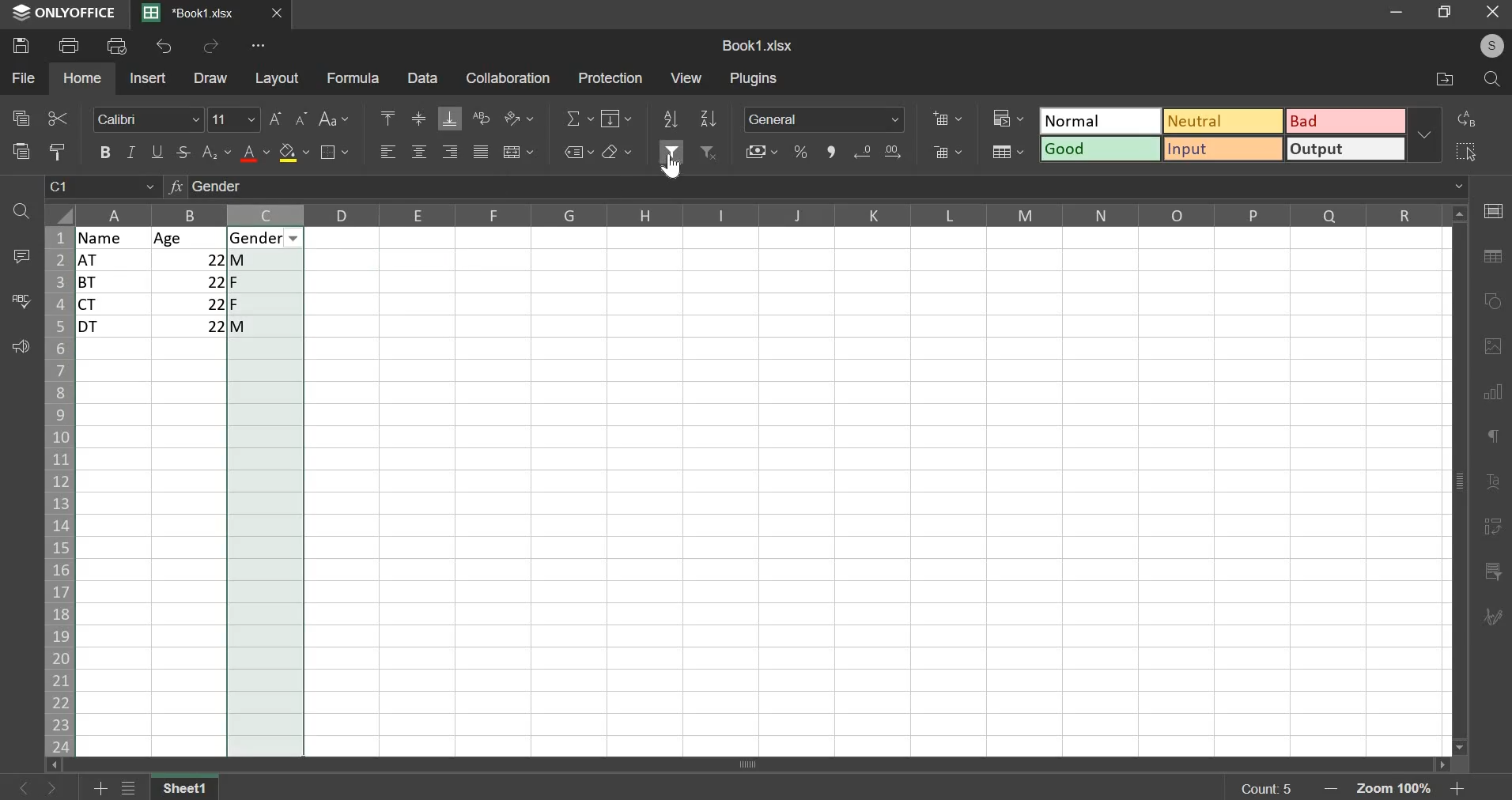 Image resolution: width=1512 pixels, height=800 pixels. I want to click on columns, so click(763, 213).